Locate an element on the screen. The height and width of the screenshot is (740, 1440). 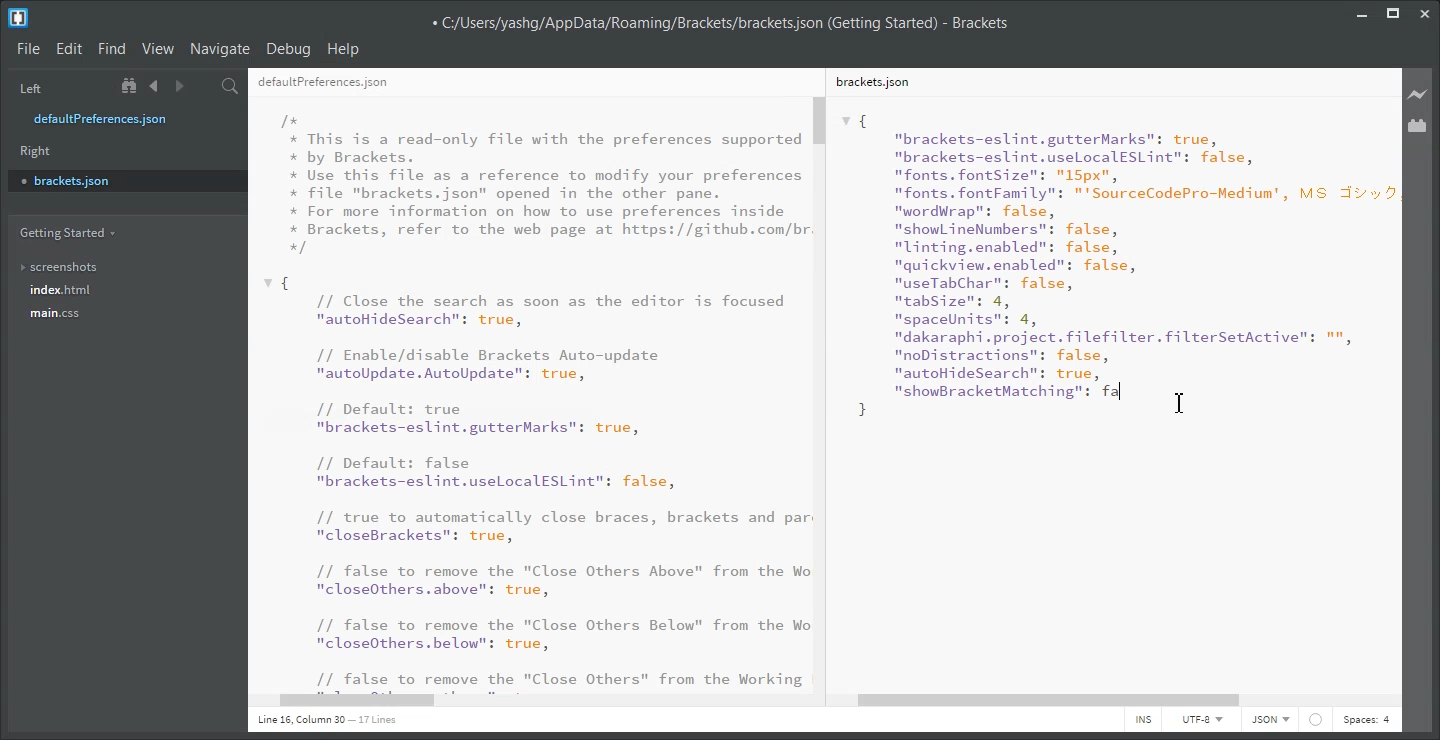
C:/Users/yashg/AppData/Roaming/Brackets/brackets json (Getting Started) - Brackets is located at coordinates (719, 21).